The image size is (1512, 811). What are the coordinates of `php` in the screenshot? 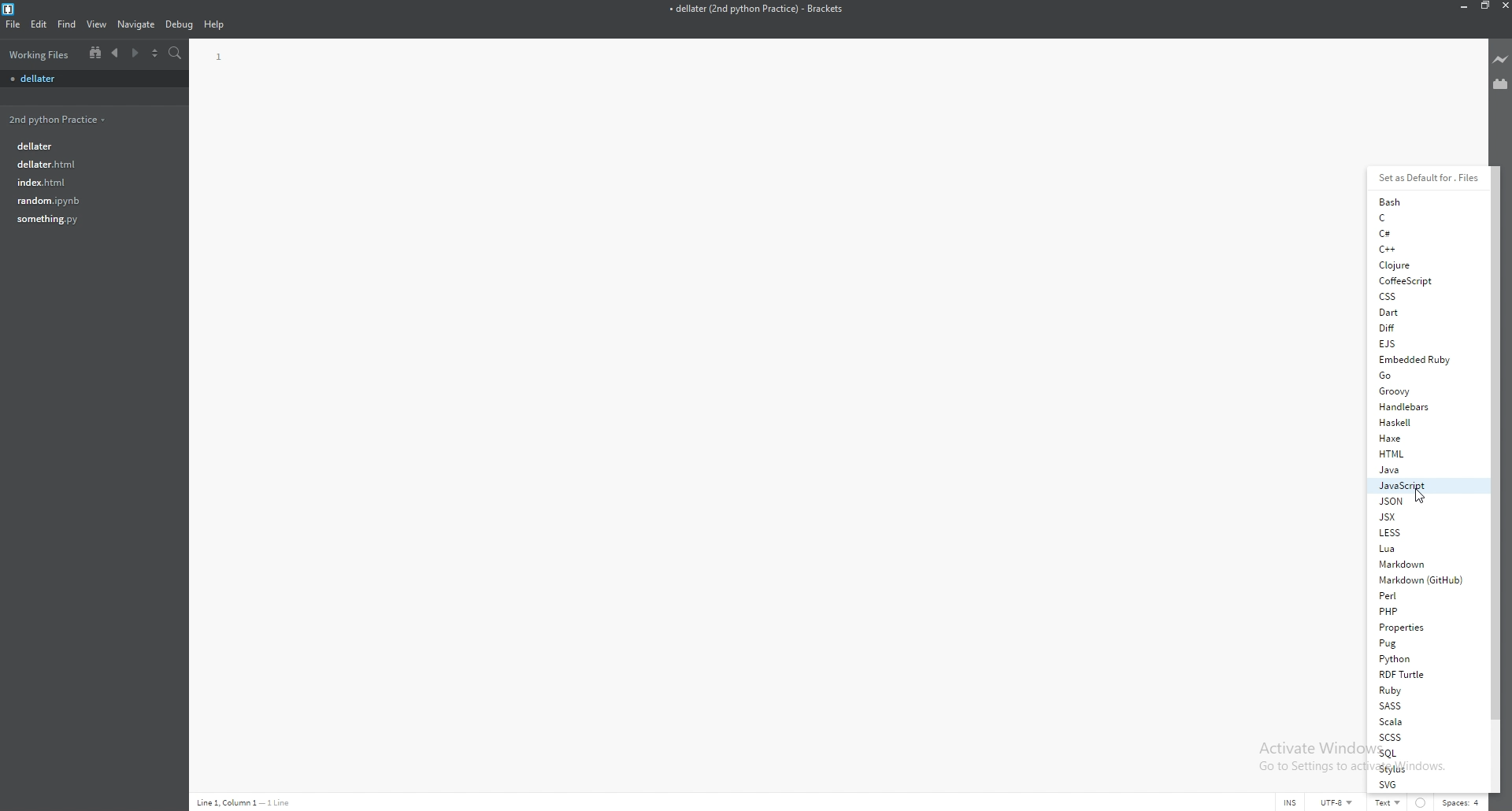 It's located at (1422, 611).